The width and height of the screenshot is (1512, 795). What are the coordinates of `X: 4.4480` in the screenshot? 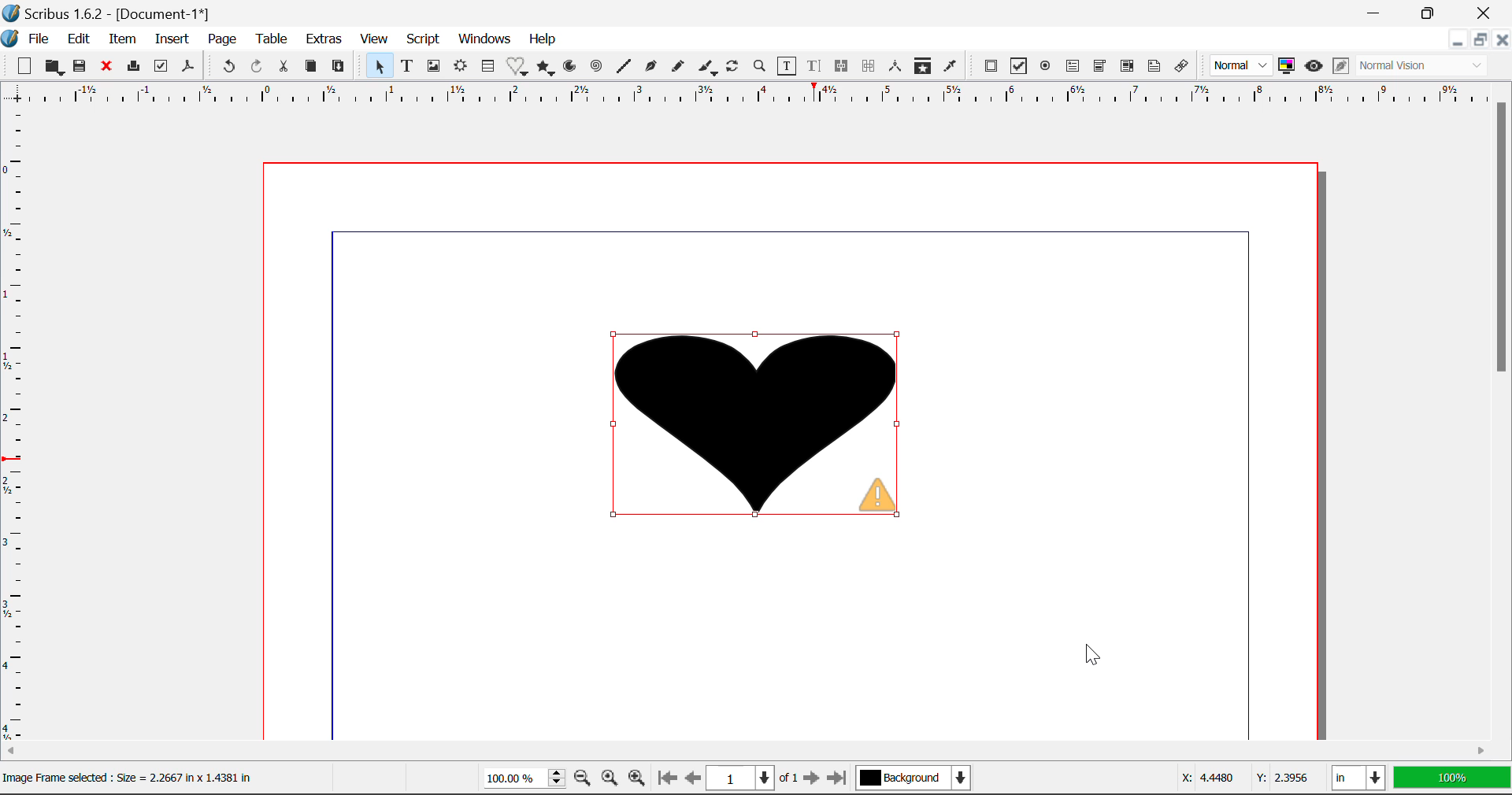 It's located at (1205, 777).